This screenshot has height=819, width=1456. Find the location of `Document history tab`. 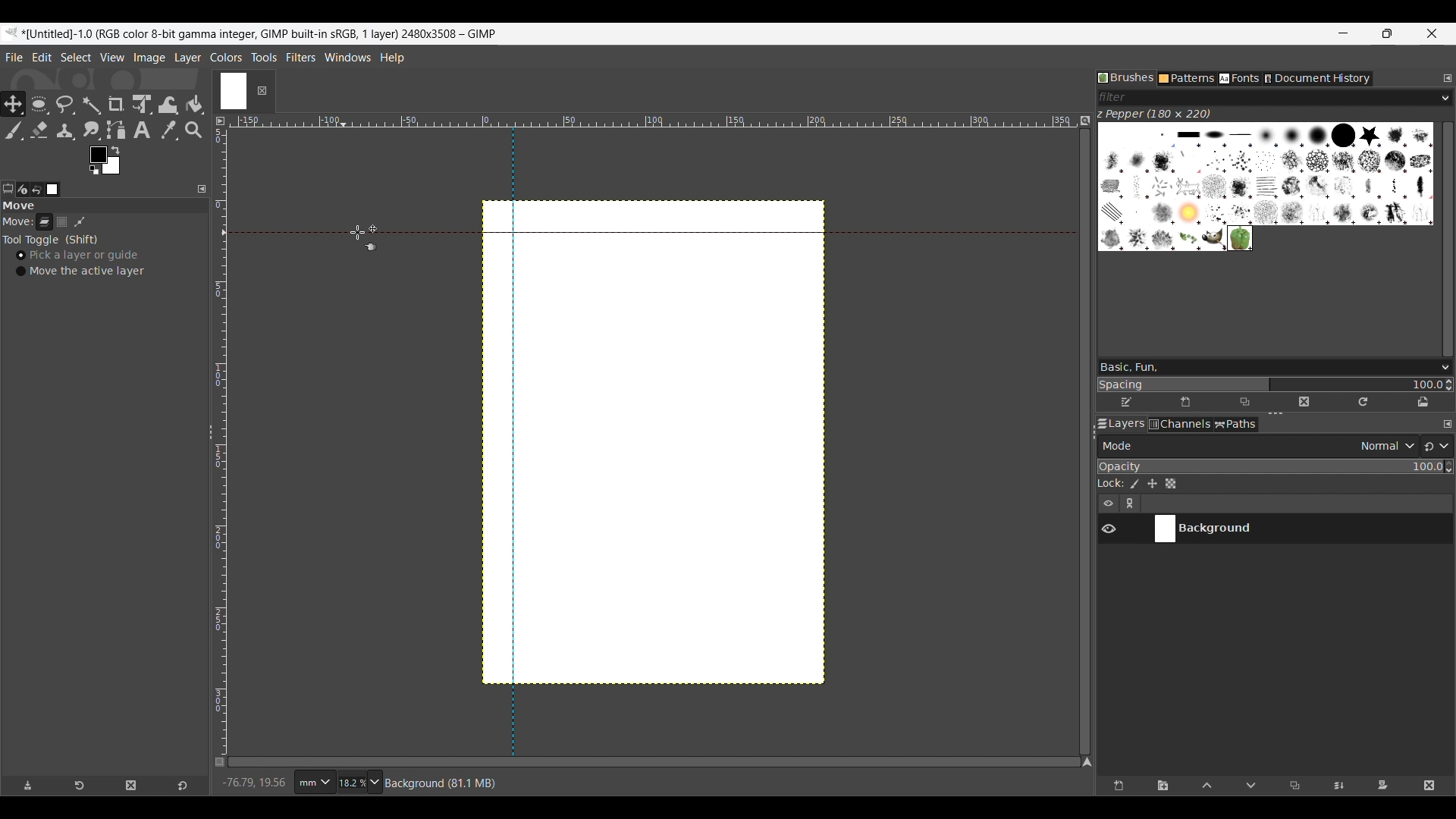

Document history tab is located at coordinates (1317, 79).